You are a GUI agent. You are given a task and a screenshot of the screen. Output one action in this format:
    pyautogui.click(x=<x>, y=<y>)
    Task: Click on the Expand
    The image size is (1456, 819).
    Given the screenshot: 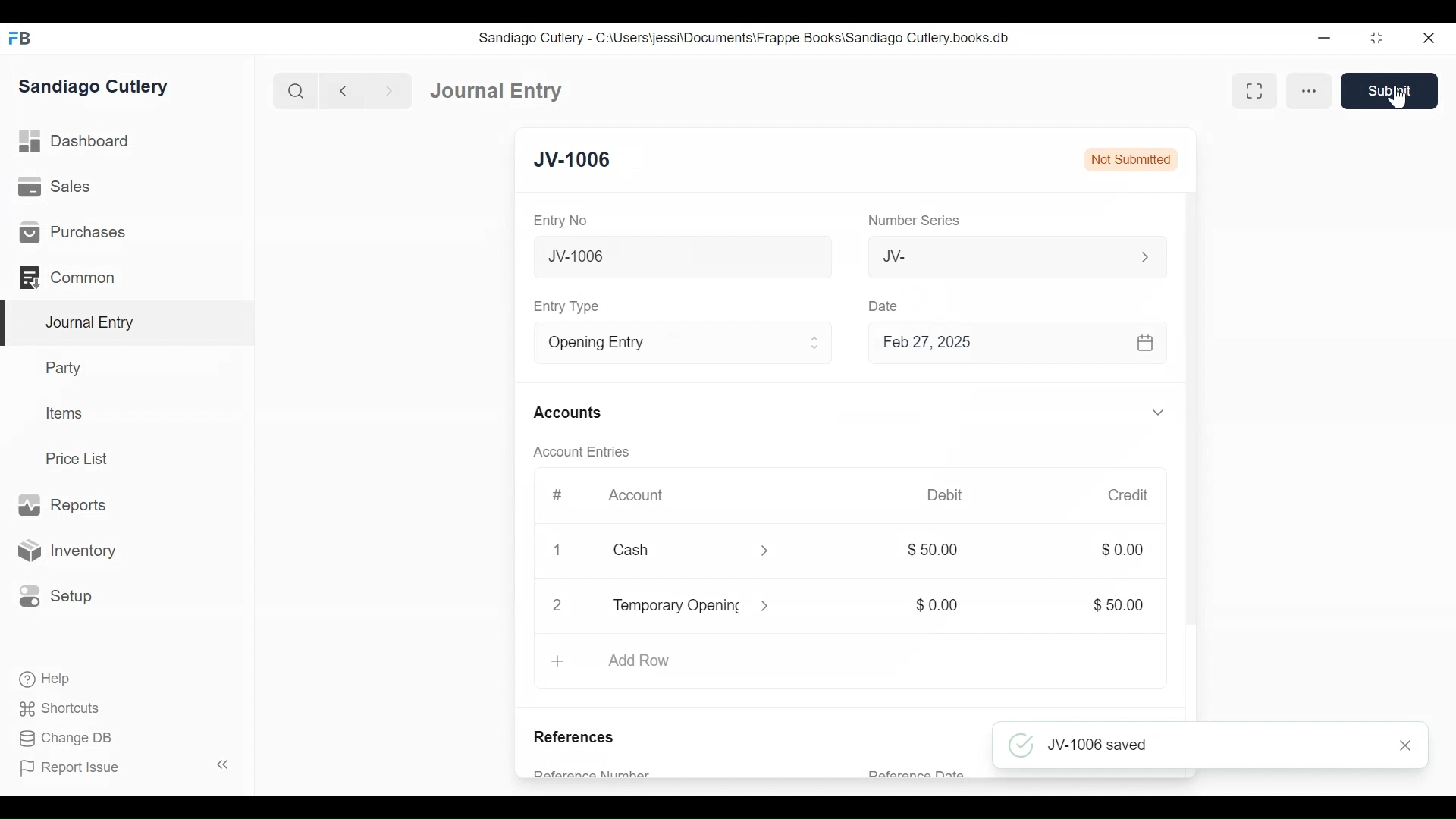 What is the action you would take?
    pyautogui.click(x=816, y=344)
    